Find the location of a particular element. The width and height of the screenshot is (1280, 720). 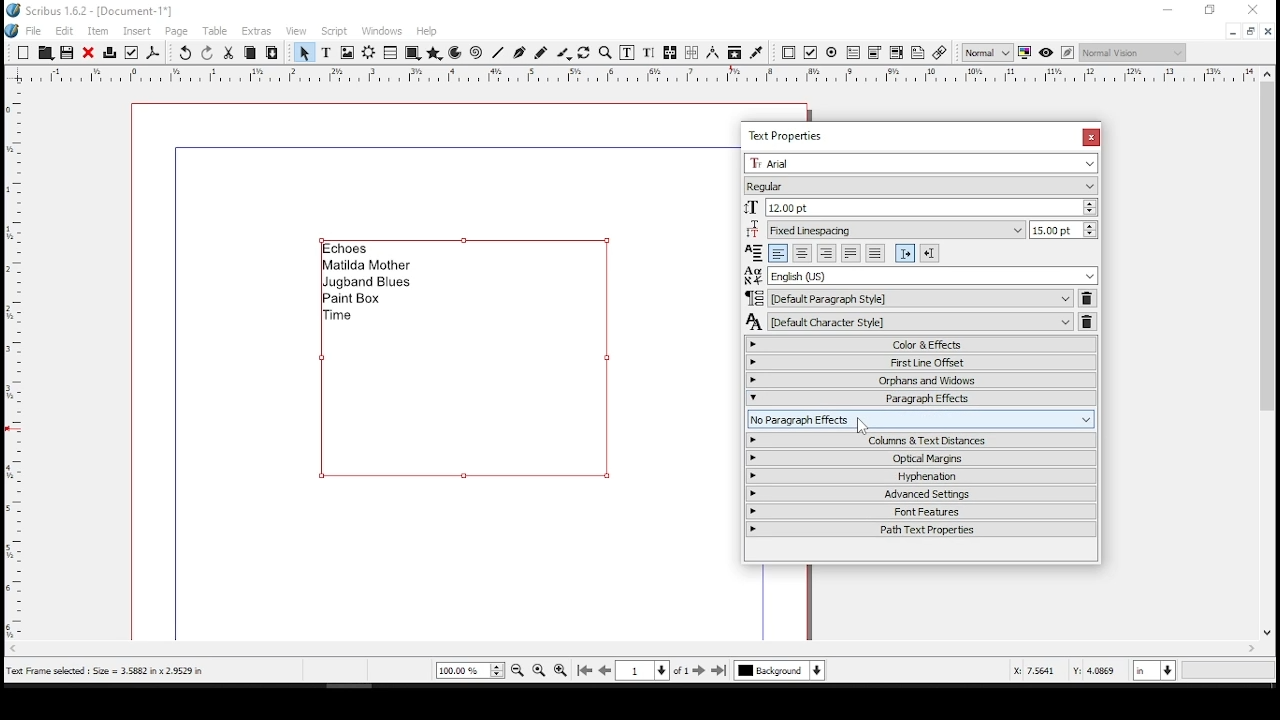

align text center is located at coordinates (802, 253).